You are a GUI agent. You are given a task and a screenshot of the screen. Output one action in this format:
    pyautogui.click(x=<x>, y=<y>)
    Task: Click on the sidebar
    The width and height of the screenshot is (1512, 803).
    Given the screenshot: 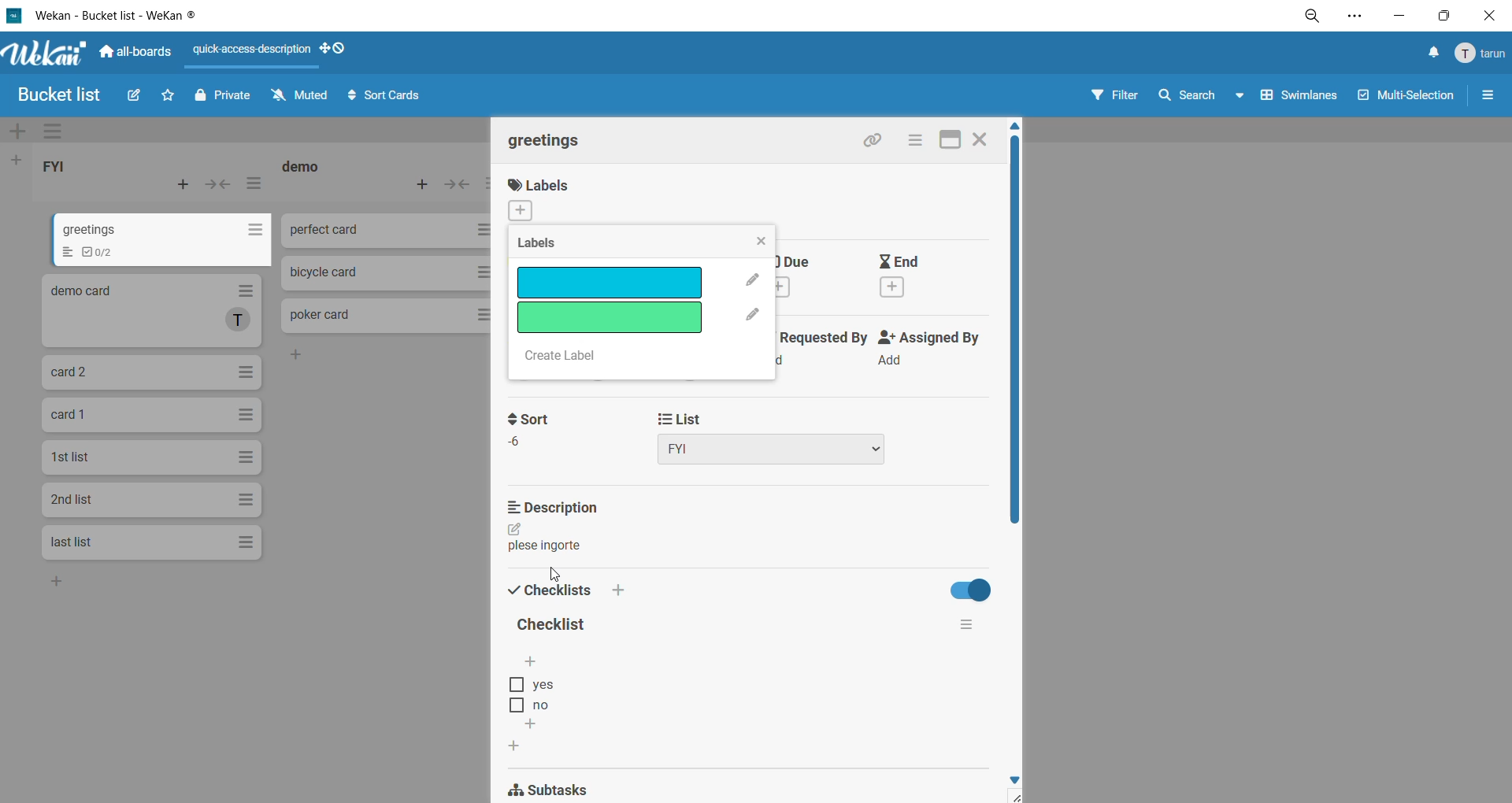 What is the action you would take?
    pyautogui.click(x=1489, y=96)
    